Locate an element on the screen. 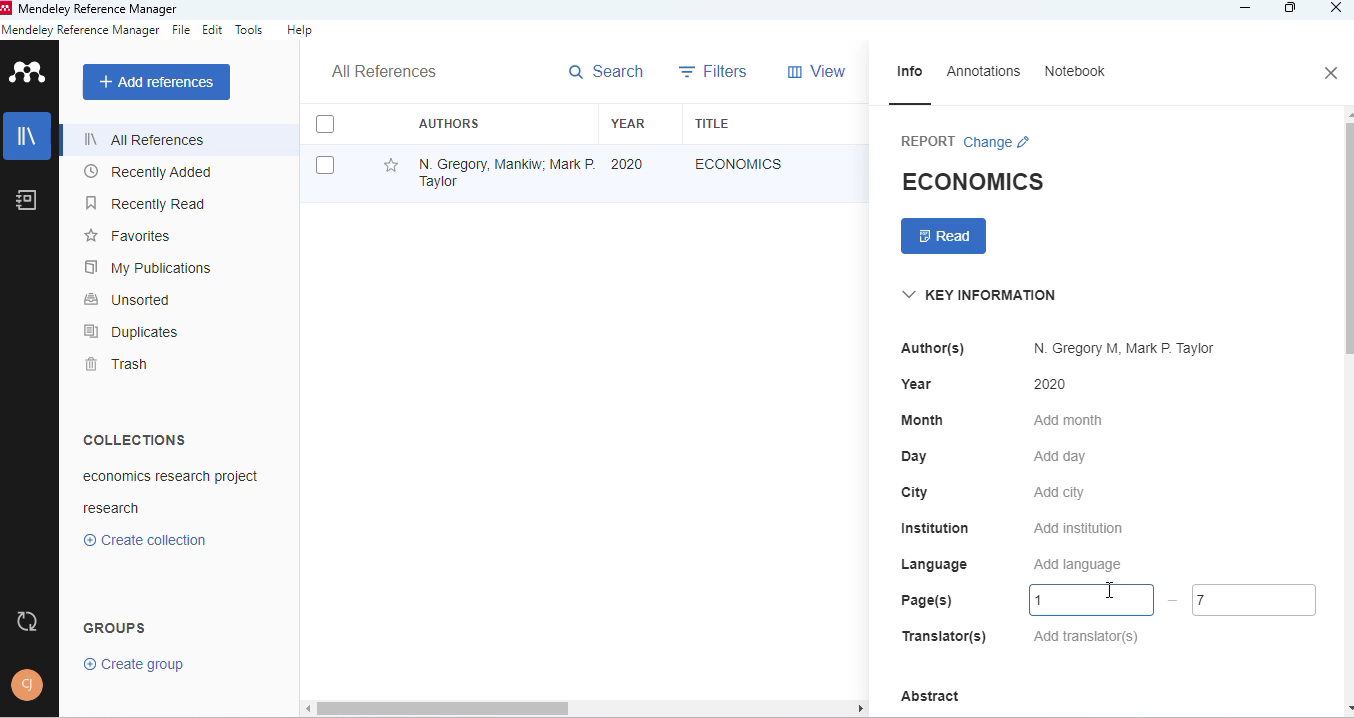 The width and height of the screenshot is (1354, 718). my publications is located at coordinates (147, 267).